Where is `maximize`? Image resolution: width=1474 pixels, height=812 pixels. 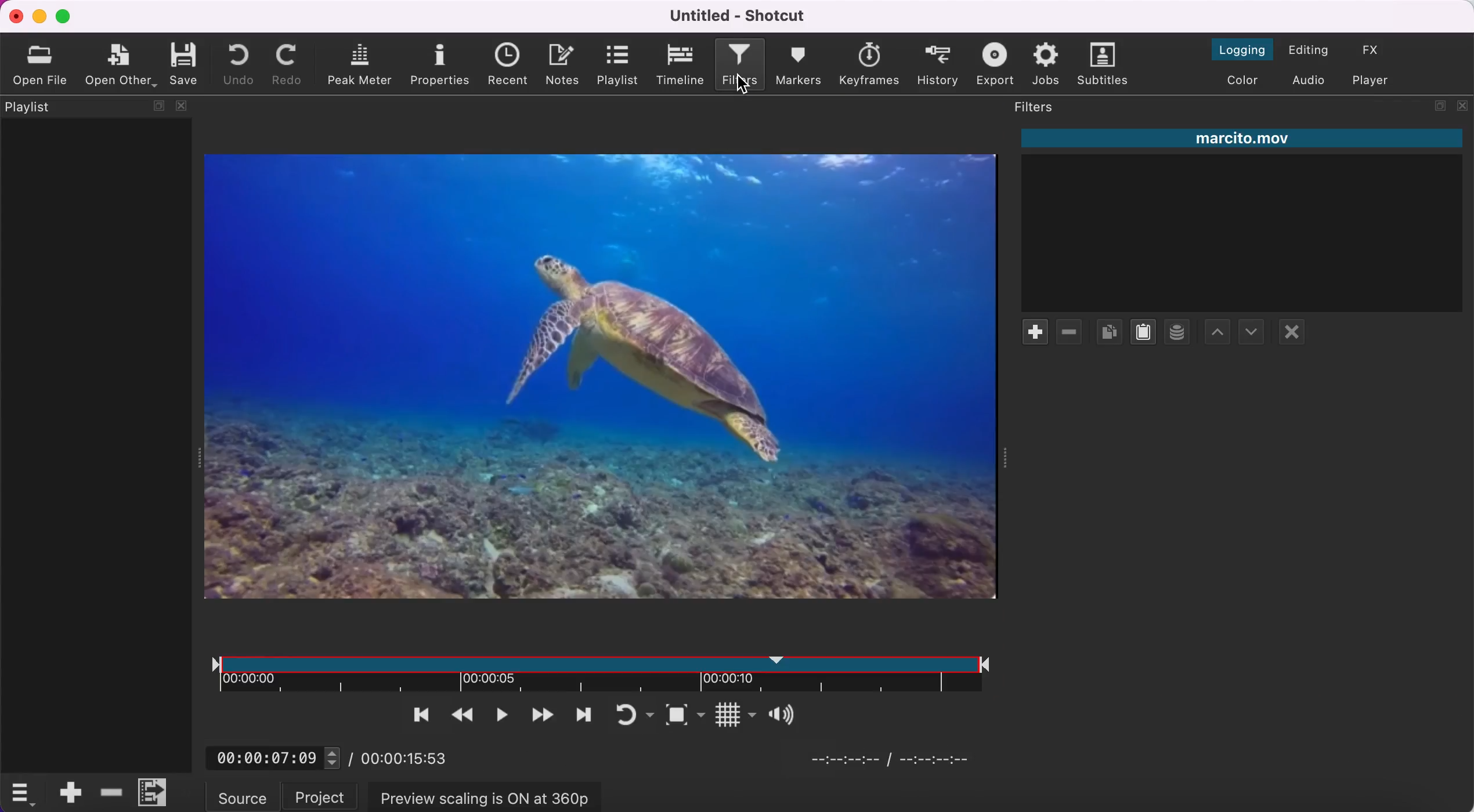 maximize is located at coordinates (1439, 108).